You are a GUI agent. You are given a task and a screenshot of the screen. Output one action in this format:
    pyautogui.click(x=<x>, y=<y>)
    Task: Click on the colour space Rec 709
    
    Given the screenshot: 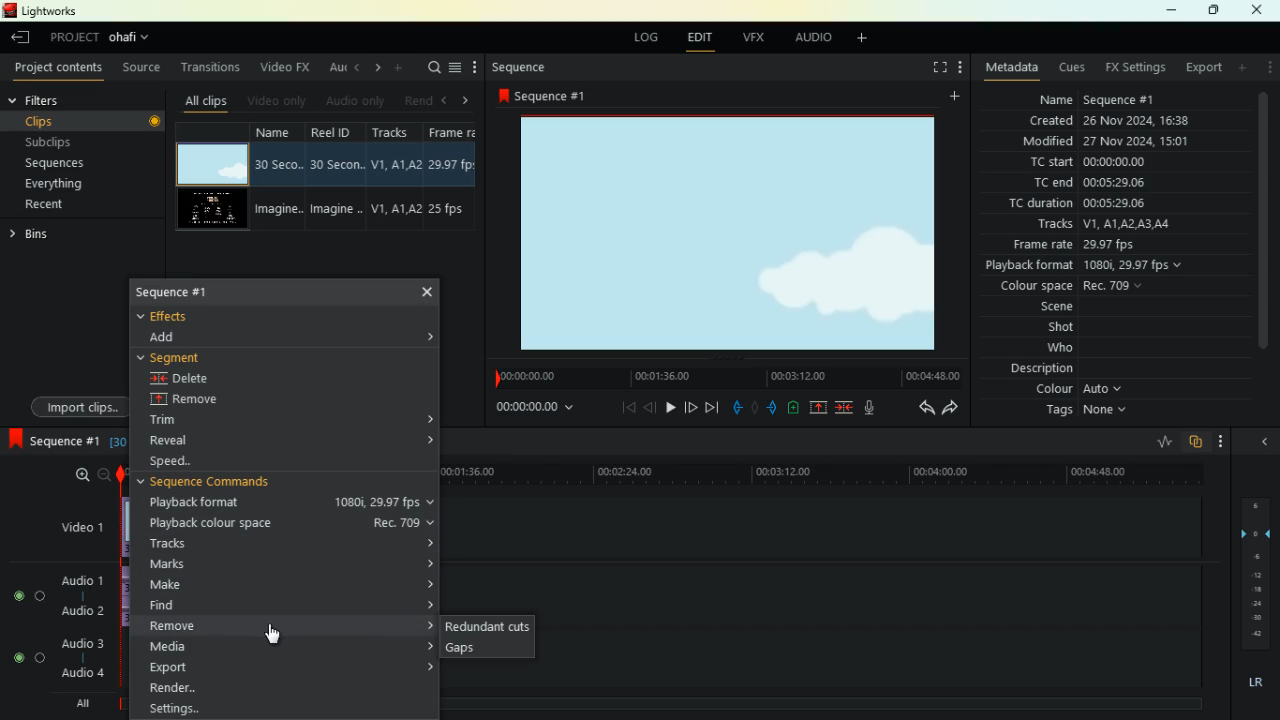 What is the action you would take?
    pyautogui.click(x=1105, y=287)
    